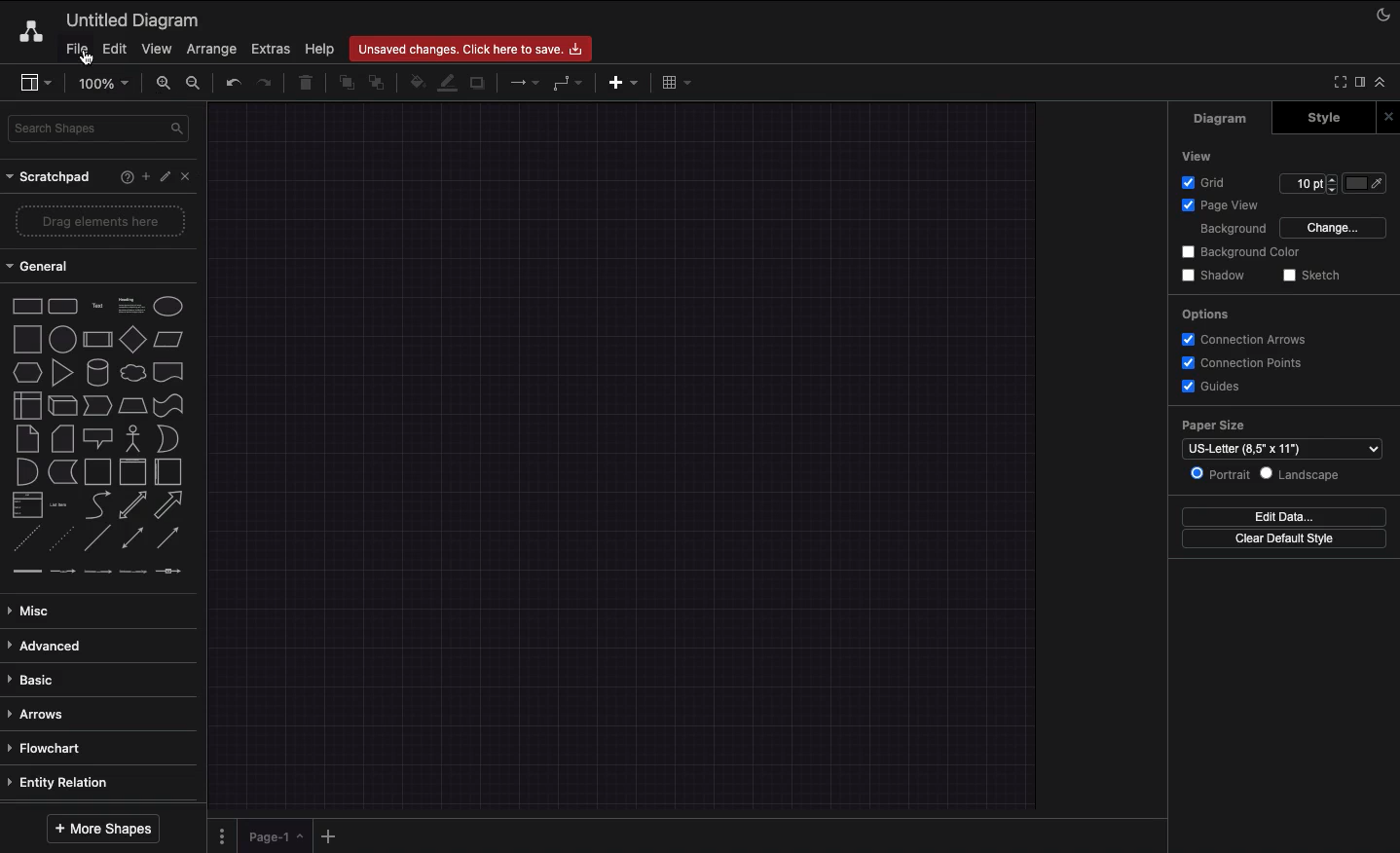 The width and height of the screenshot is (1400, 853). I want to click on Tape, so click(171, 404).